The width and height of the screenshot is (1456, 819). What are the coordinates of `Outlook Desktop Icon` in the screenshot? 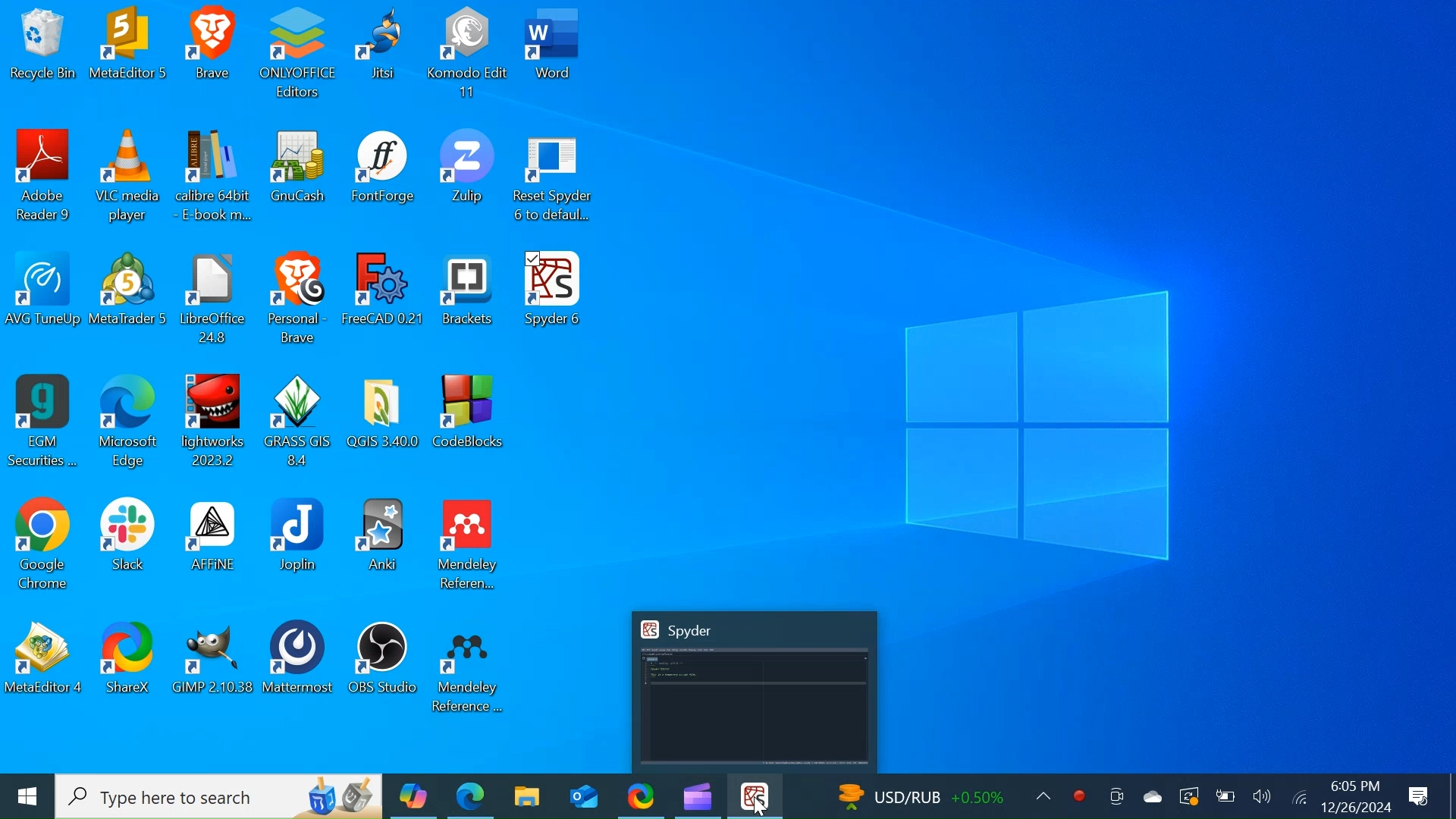 It's located at (580, 795).